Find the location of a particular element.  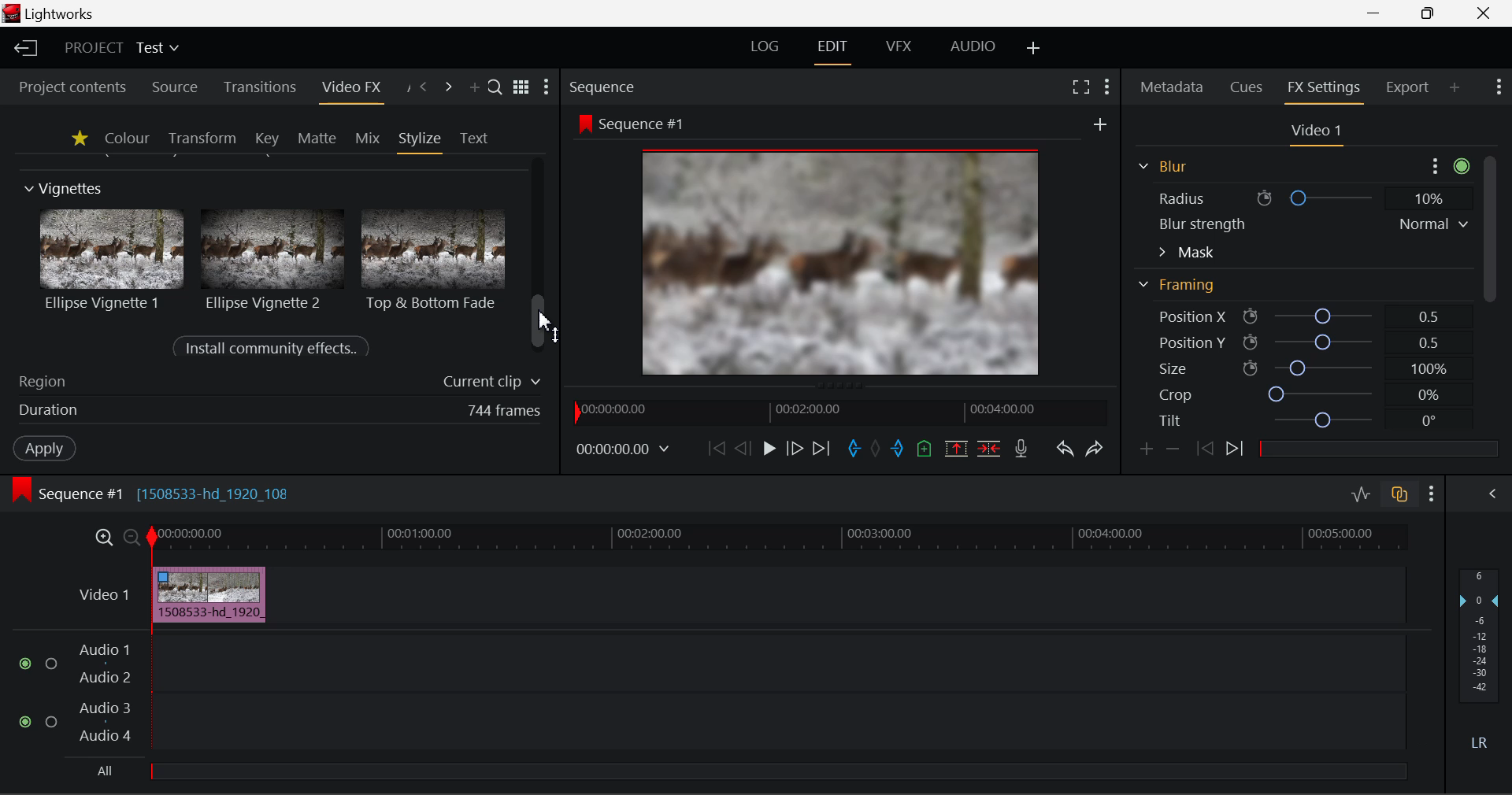

Undo is located at coordinates (1063, 446).